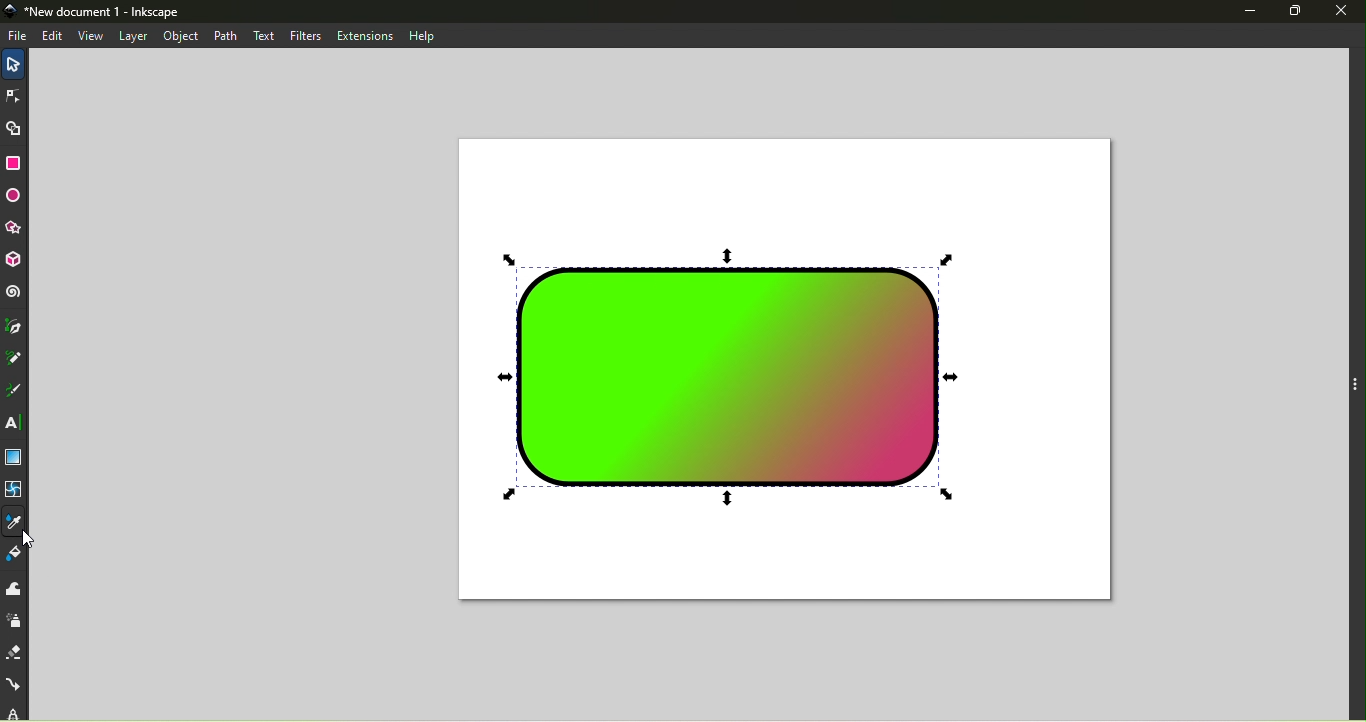 The height and width of the screenshot is (722, 1366). Describe the element at coordinates (17, 261) in the screenshot. I see `3D box tool` at that location.